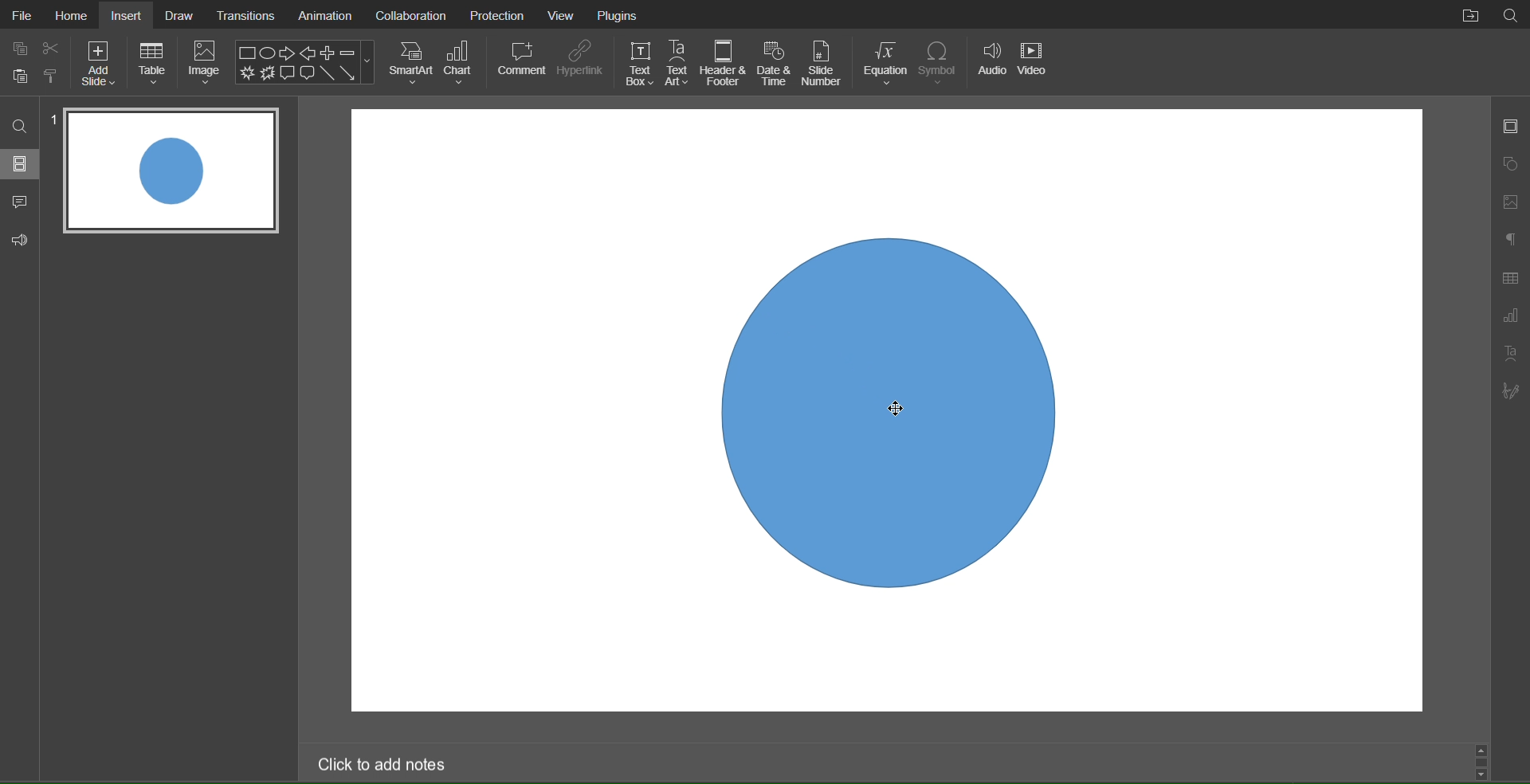 Image resolution: width=1530 pixels, height=784 pixels. Describe the element at coordinates (207, 64) in the screenshot. I see `Image` at that location.